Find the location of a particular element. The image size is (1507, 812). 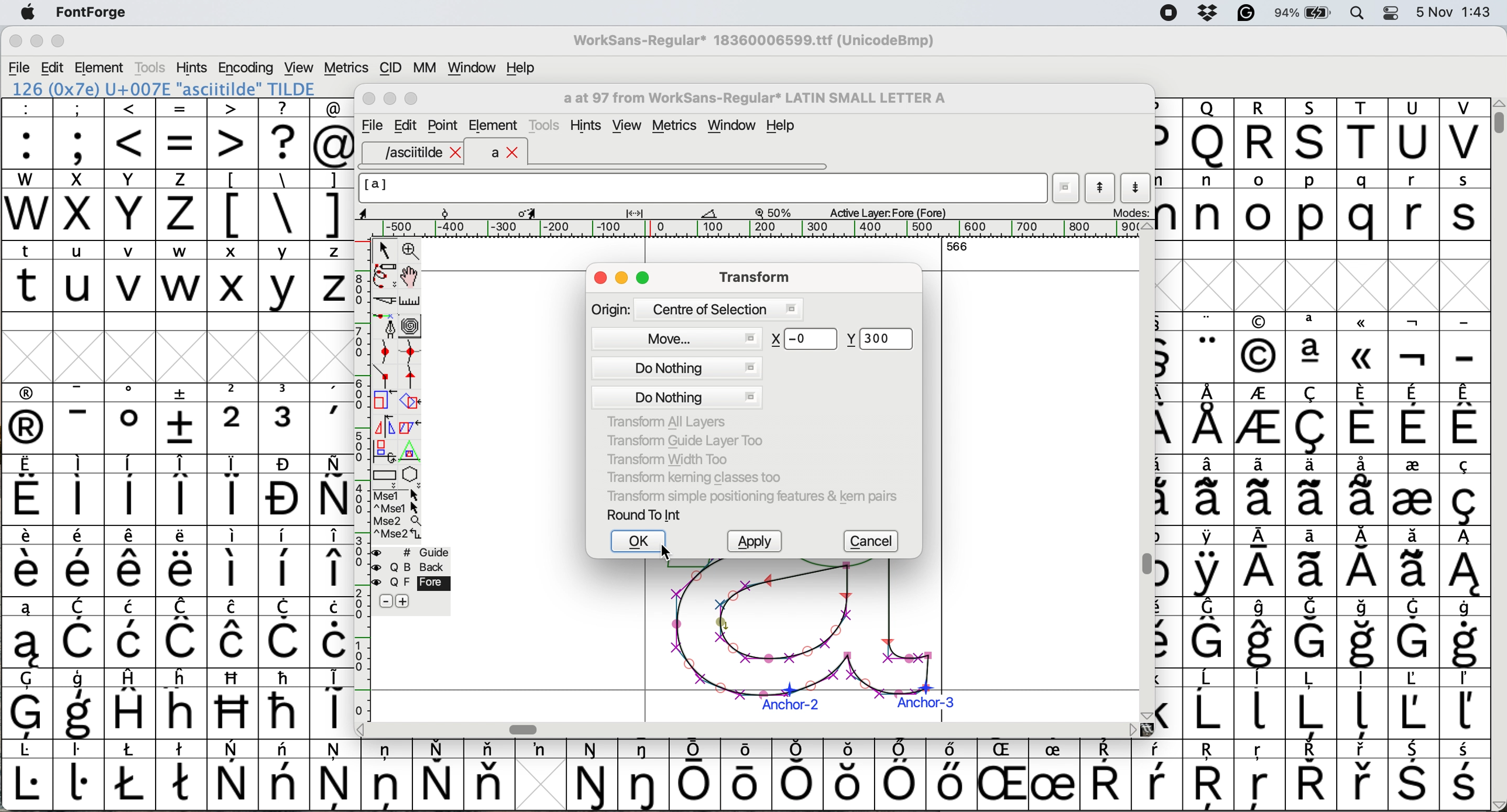

glyph details is located at coordinates (546, 212).